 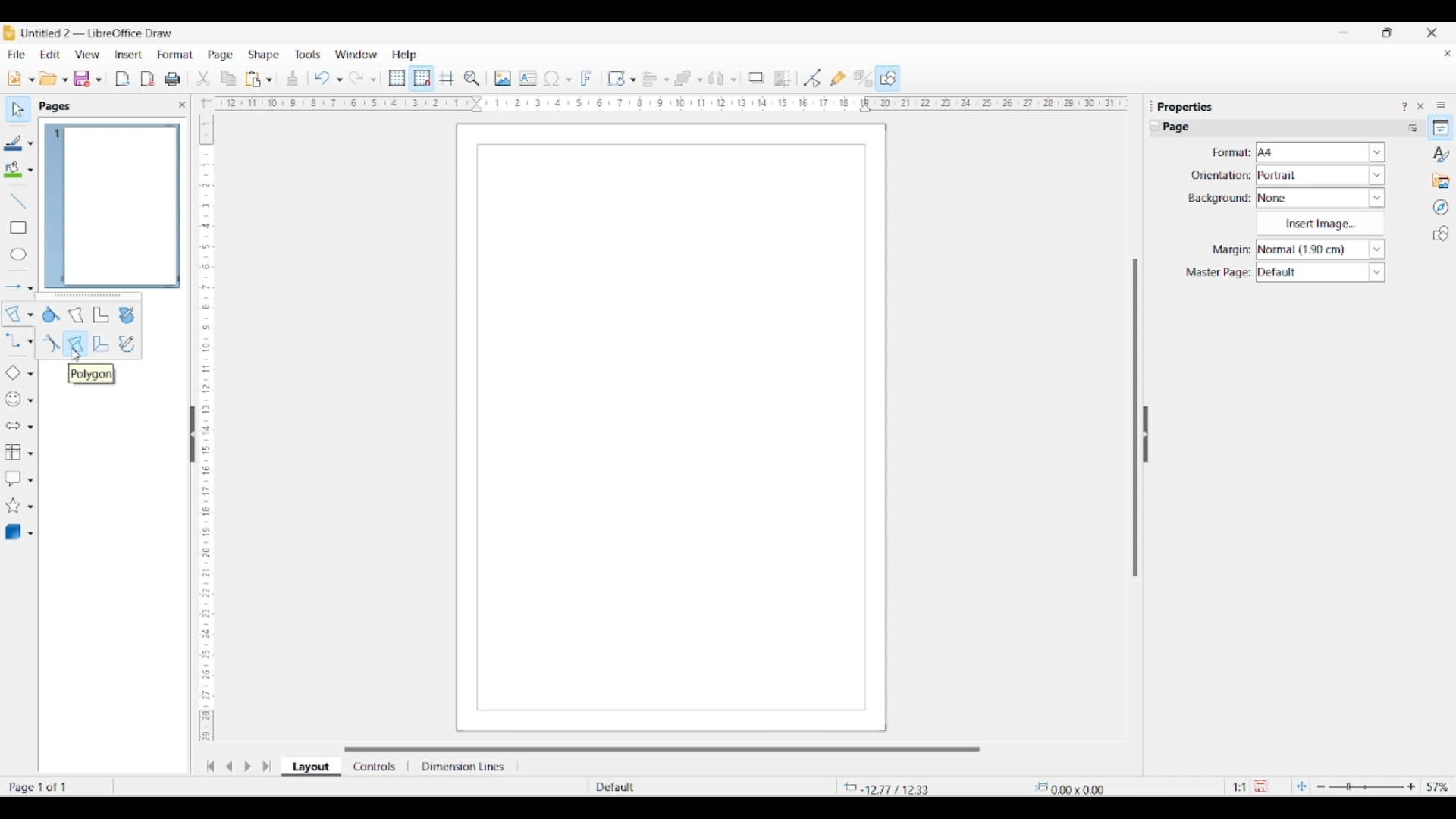 I want to click on Selected block arrow, so click(x=12, y=426).